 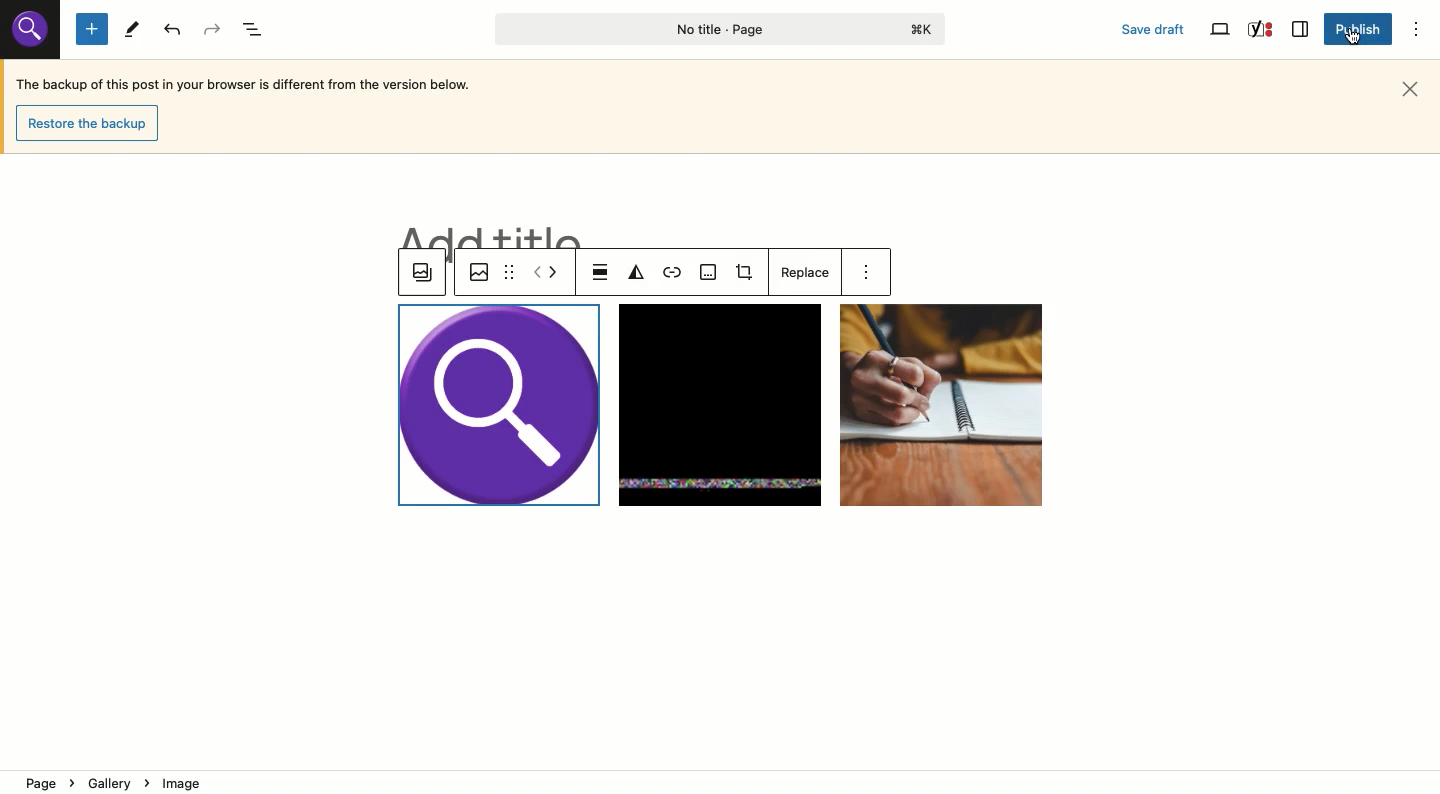 What do you see at coordinates (216, 28) in the screenshot?
I see `Redo` at bounding box center [216, 28].